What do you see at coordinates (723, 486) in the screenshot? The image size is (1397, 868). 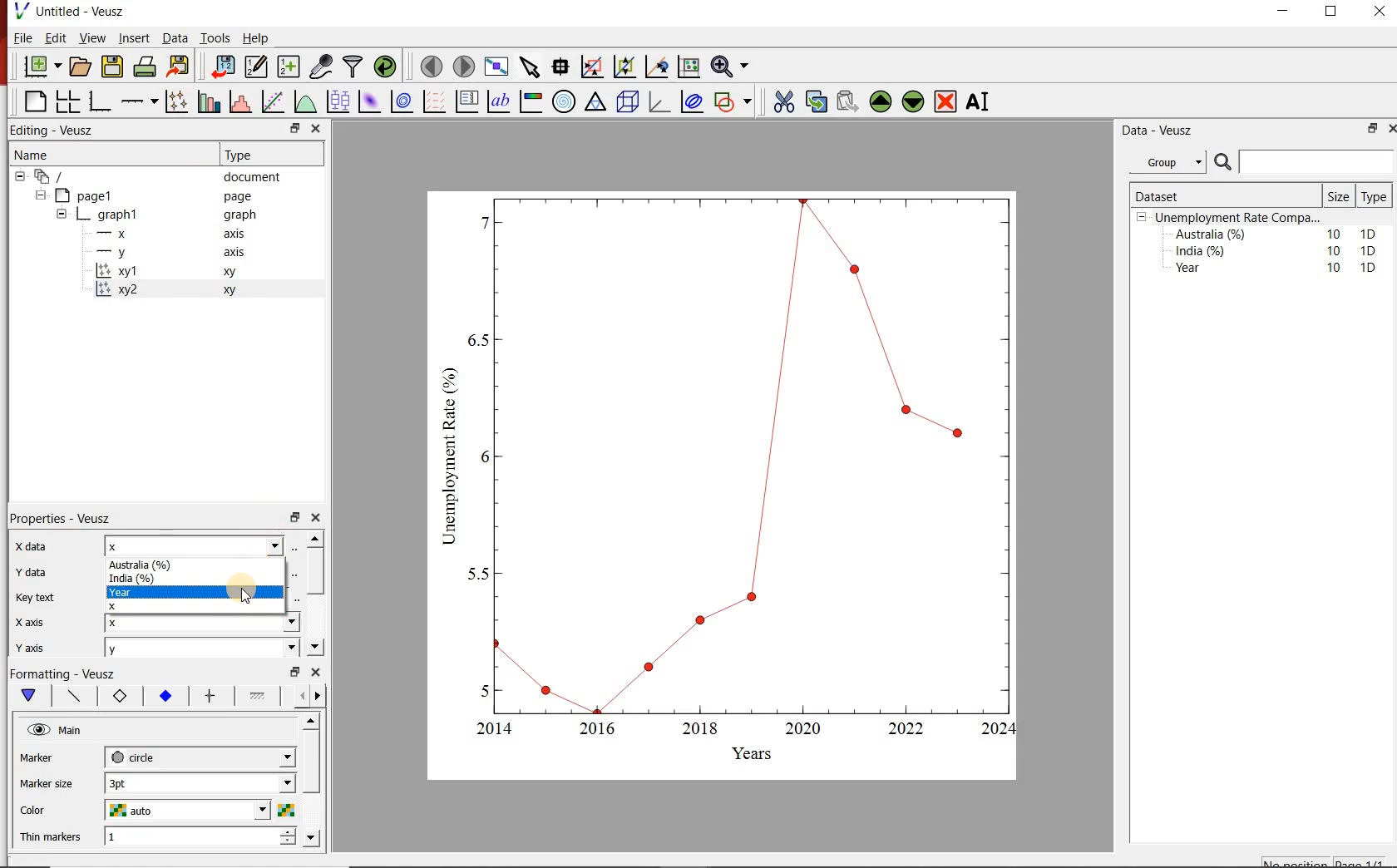 I see `graph chart` at bounding box center [723, 486].